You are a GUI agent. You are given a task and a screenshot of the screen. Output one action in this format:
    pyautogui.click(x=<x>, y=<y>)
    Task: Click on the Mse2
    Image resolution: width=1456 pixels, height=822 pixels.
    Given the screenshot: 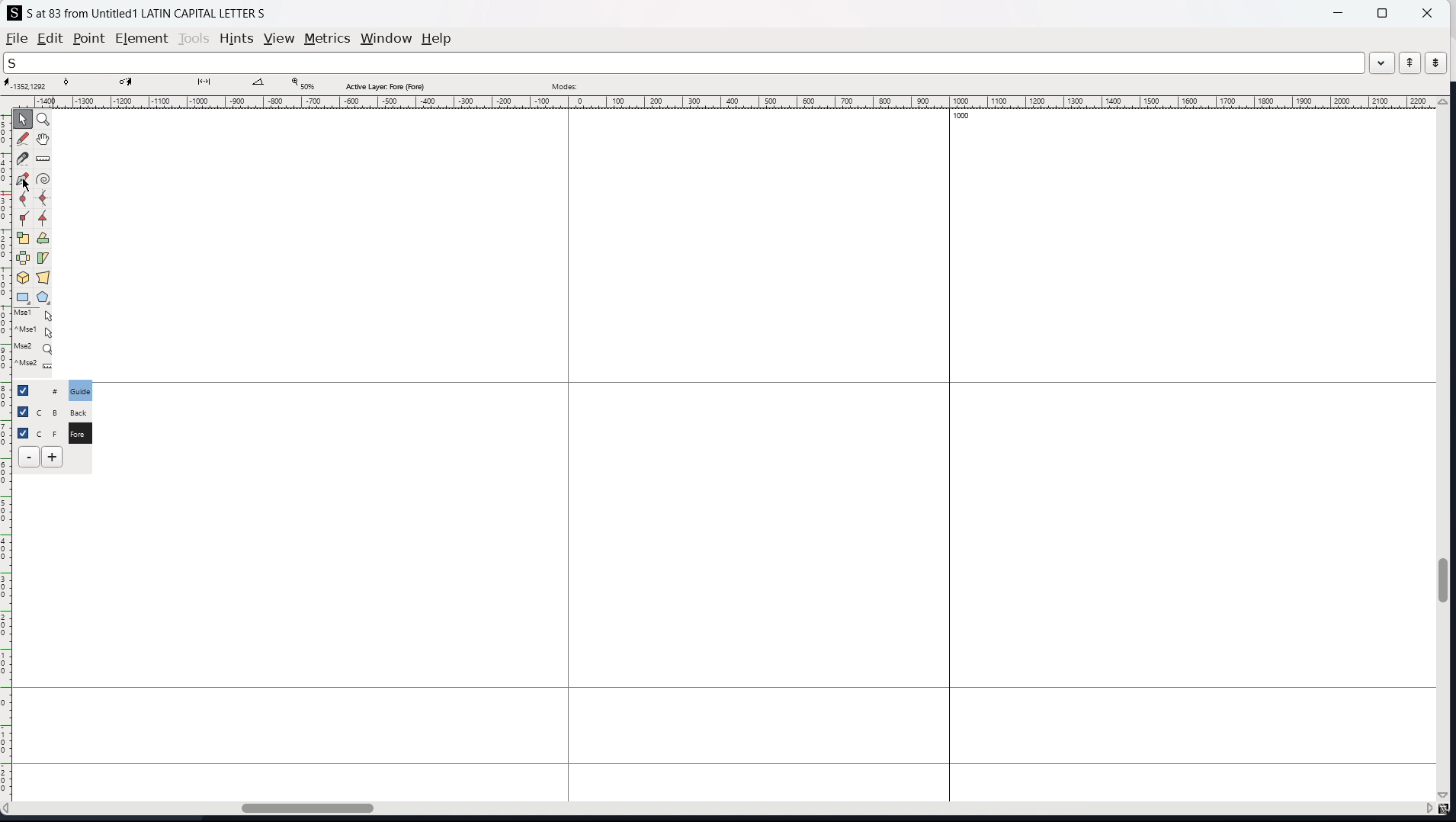 What is the action you would take?
    pyautogui.click(x=35, y=348)
    